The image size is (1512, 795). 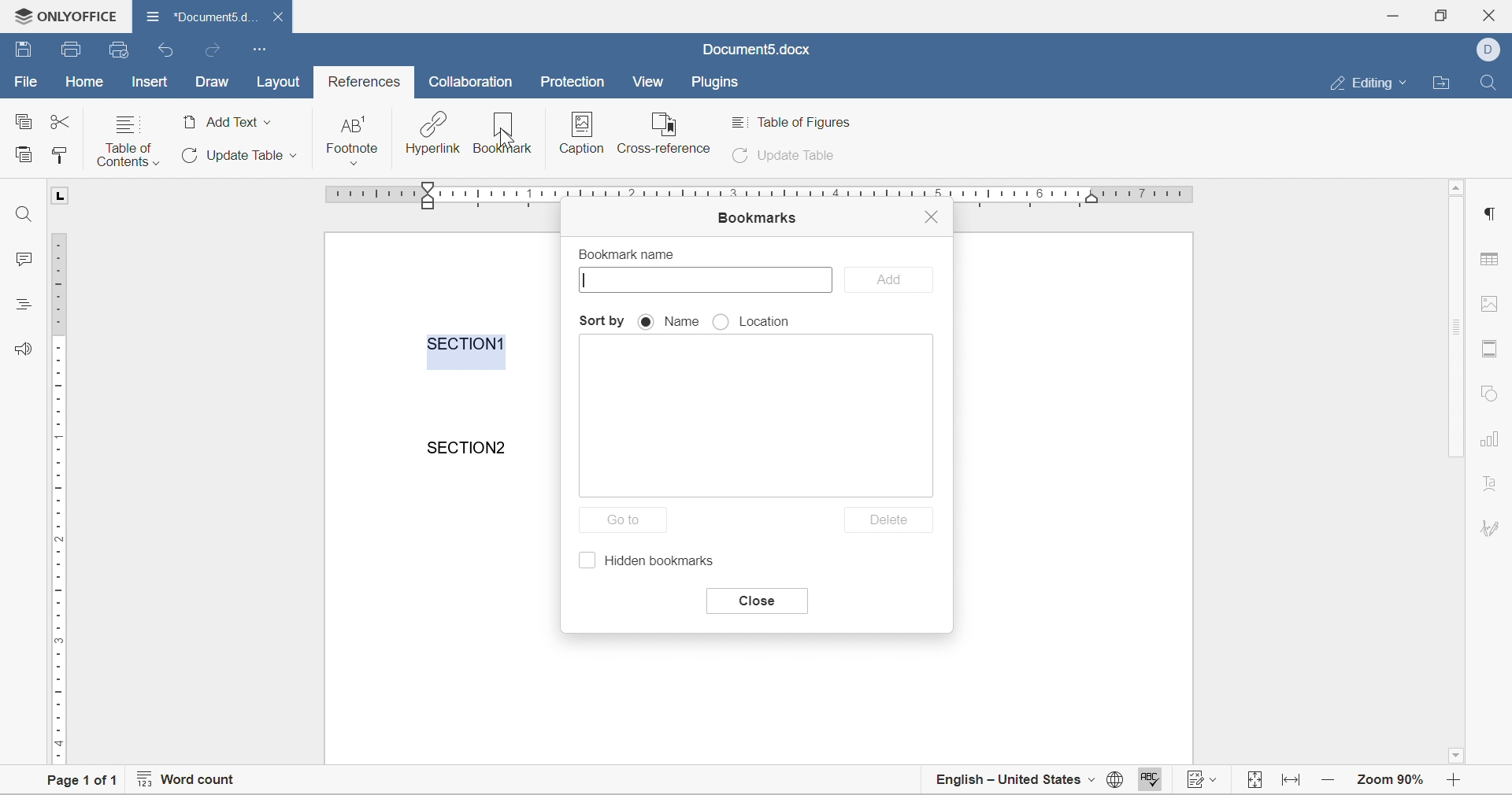 What do you see at coordinates (1489, 213) in the screenshot?
I see `` at bounding box center [1489, 213].